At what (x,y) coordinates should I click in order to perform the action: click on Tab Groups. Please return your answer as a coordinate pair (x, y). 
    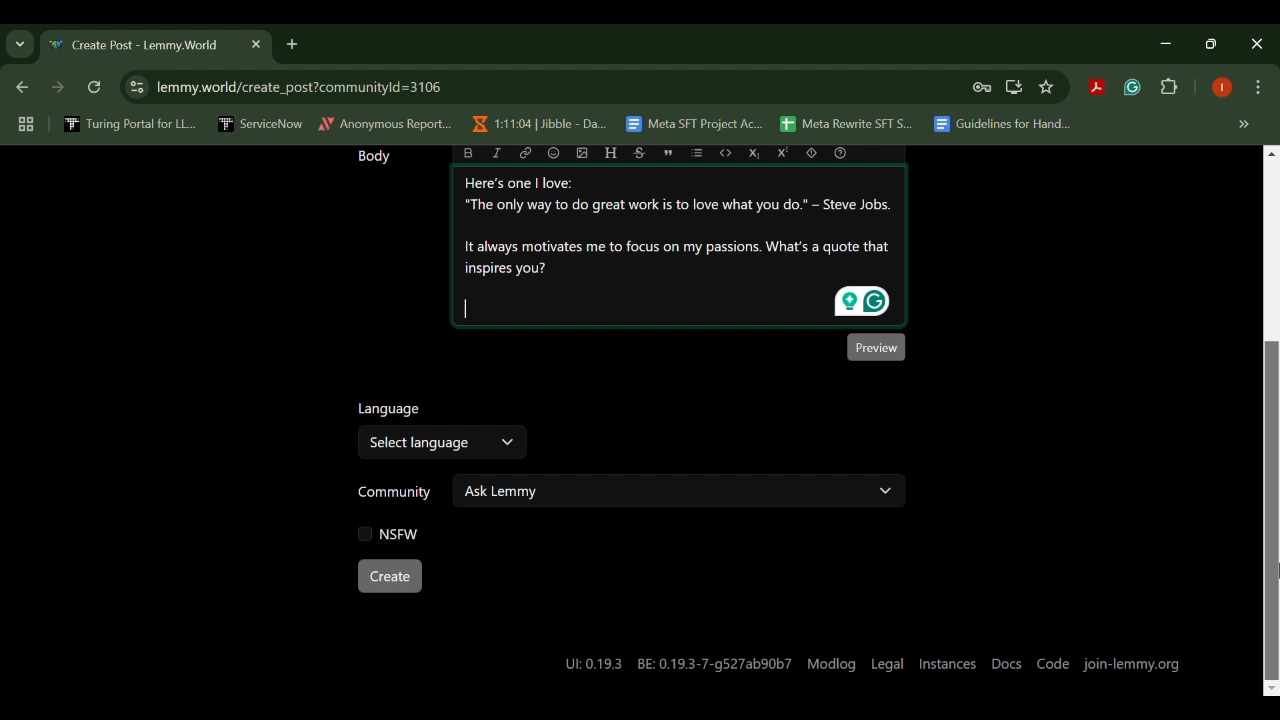
    Looking at the image, I should click on (23, 125).